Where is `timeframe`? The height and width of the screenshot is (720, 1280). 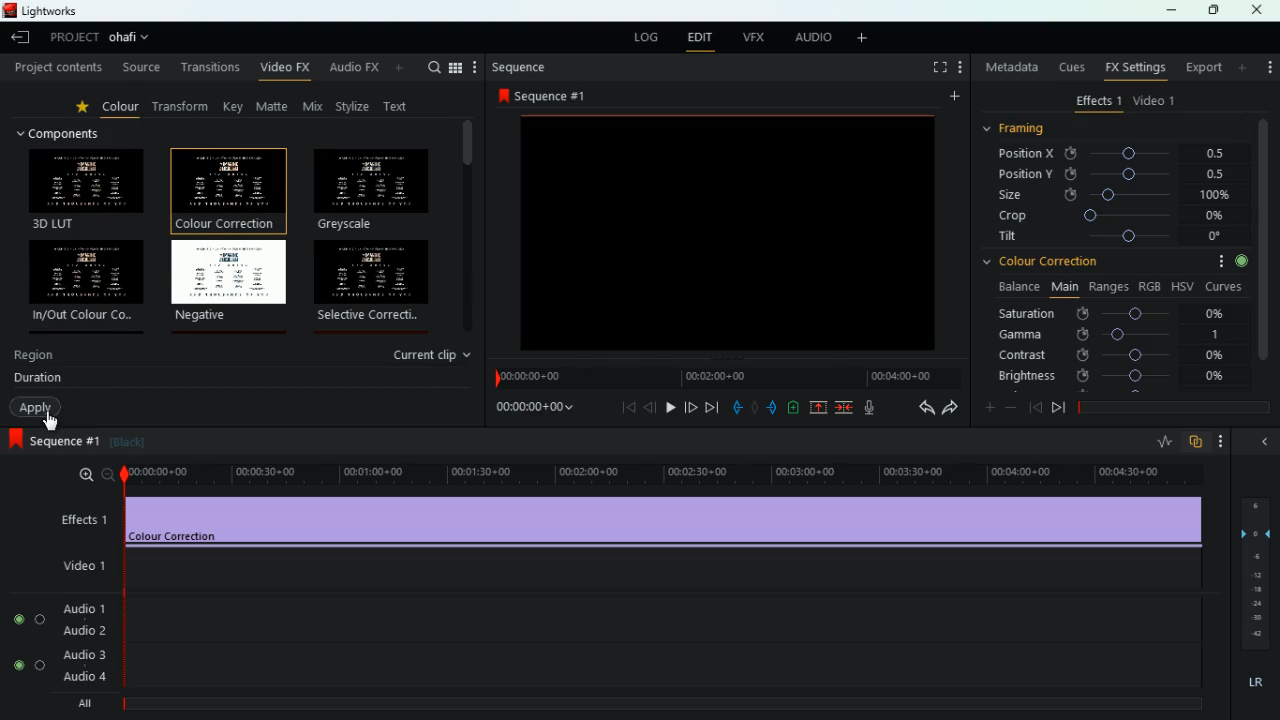
timeframe is located at coordinates (1173, 407).